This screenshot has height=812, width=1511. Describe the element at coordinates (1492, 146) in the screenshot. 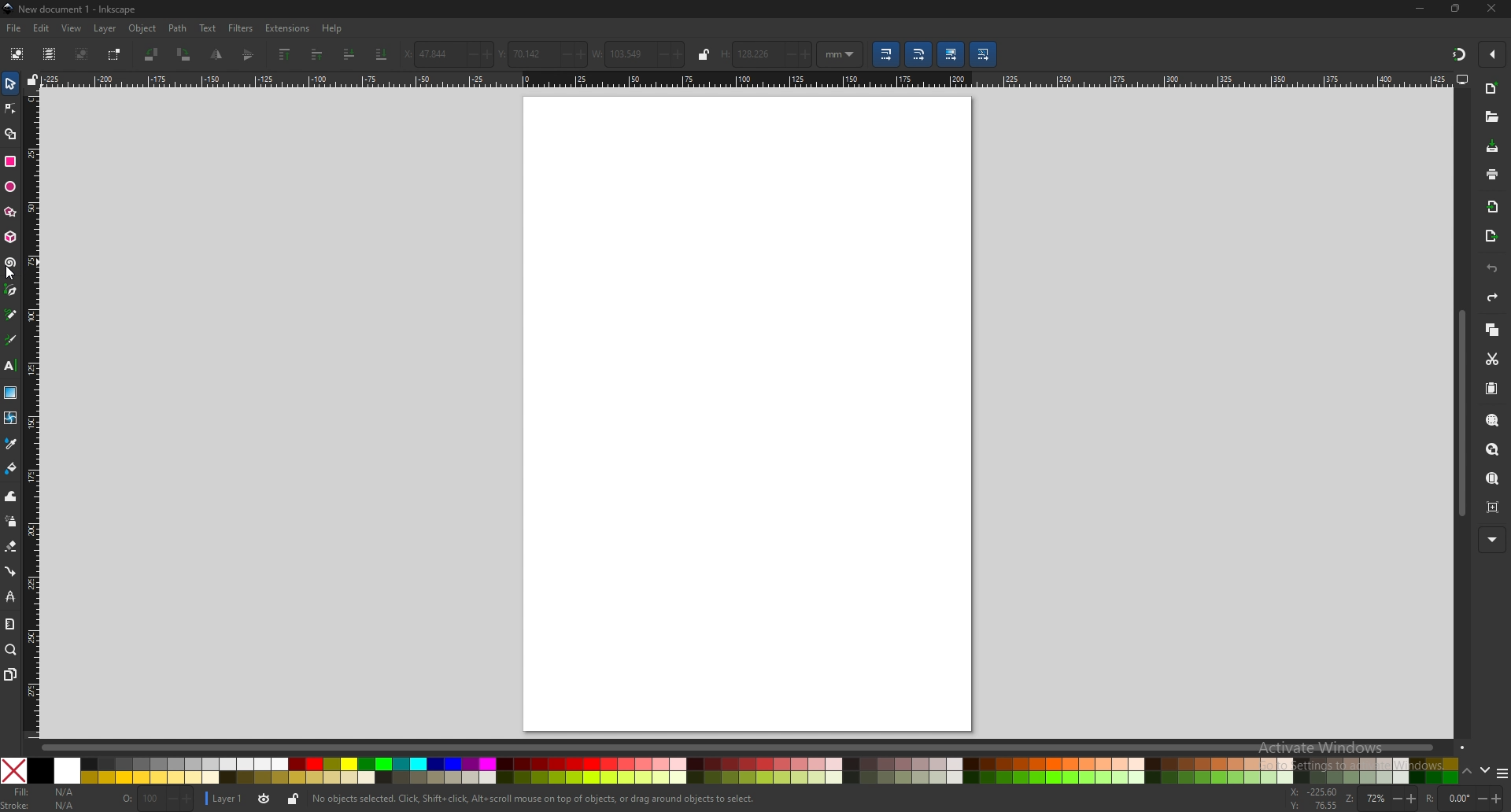

I see `save` at that location.